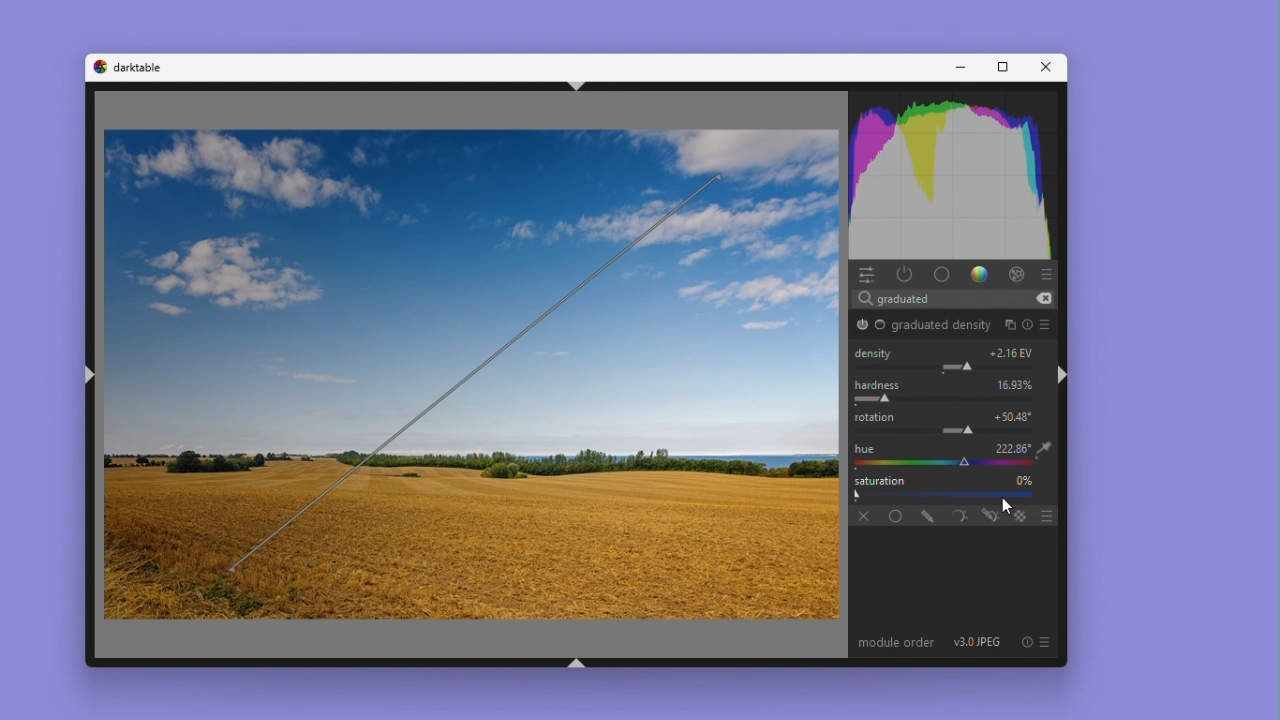  Describe the element at coordinates (989, 515) in the screenshot. I see `drawn and parametric mask` at that location.